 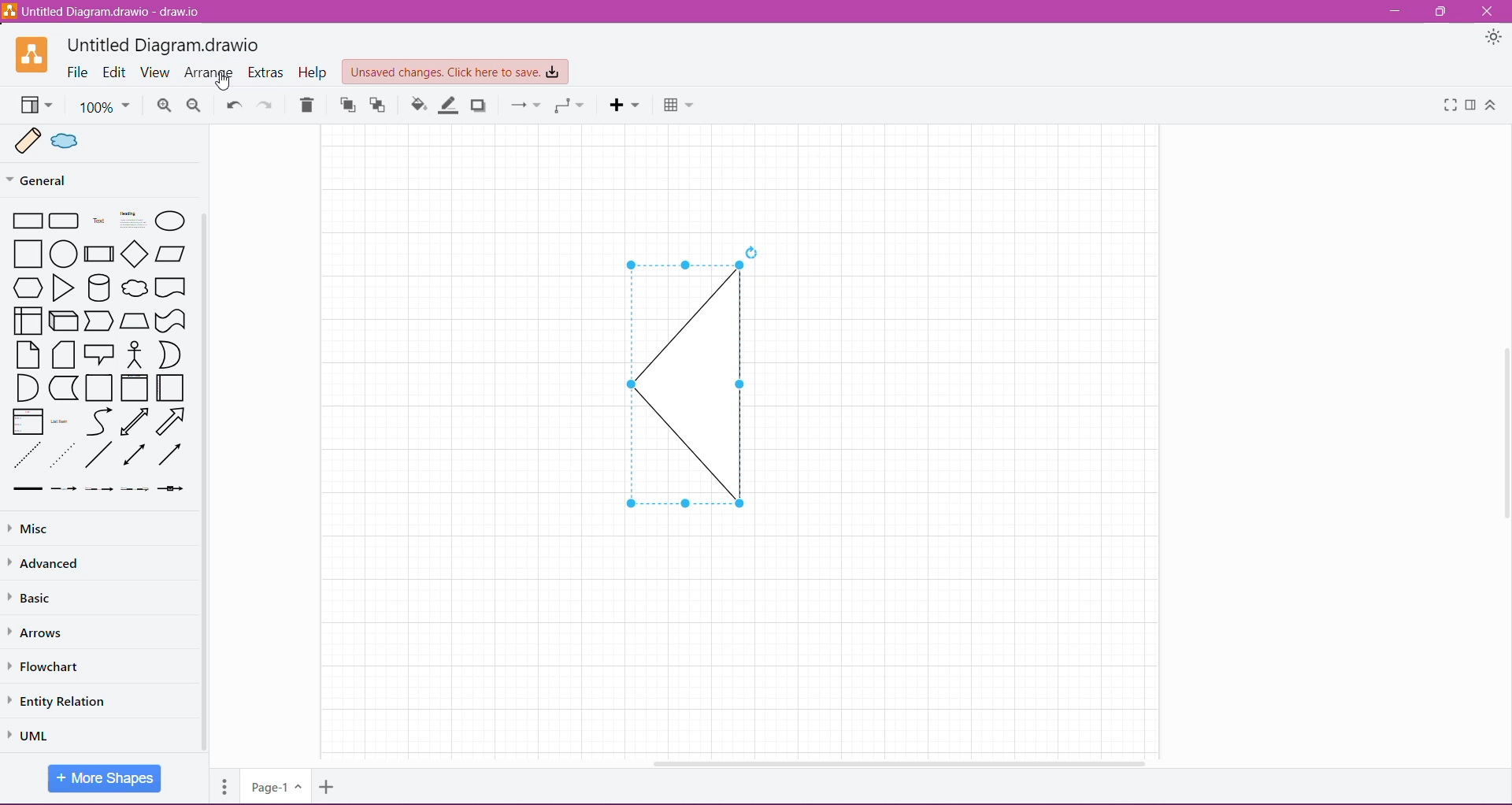 I want to click on Close, so click(x=1492, y=10).